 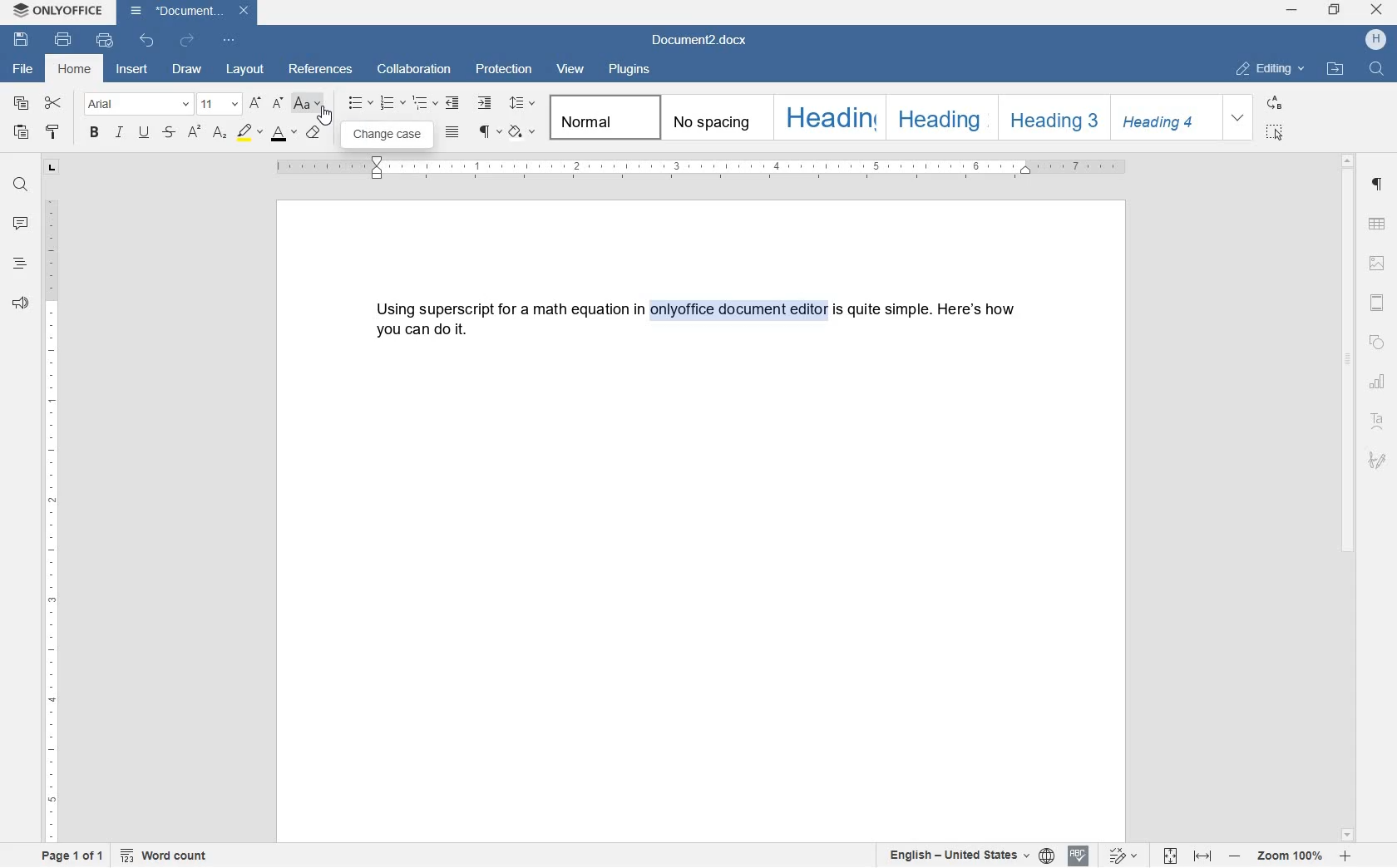 What do you see at coordinates (1337, 72) in the screenshot?
I see `OPEN FILE LOCATION` at bounding box center [1337, 72].